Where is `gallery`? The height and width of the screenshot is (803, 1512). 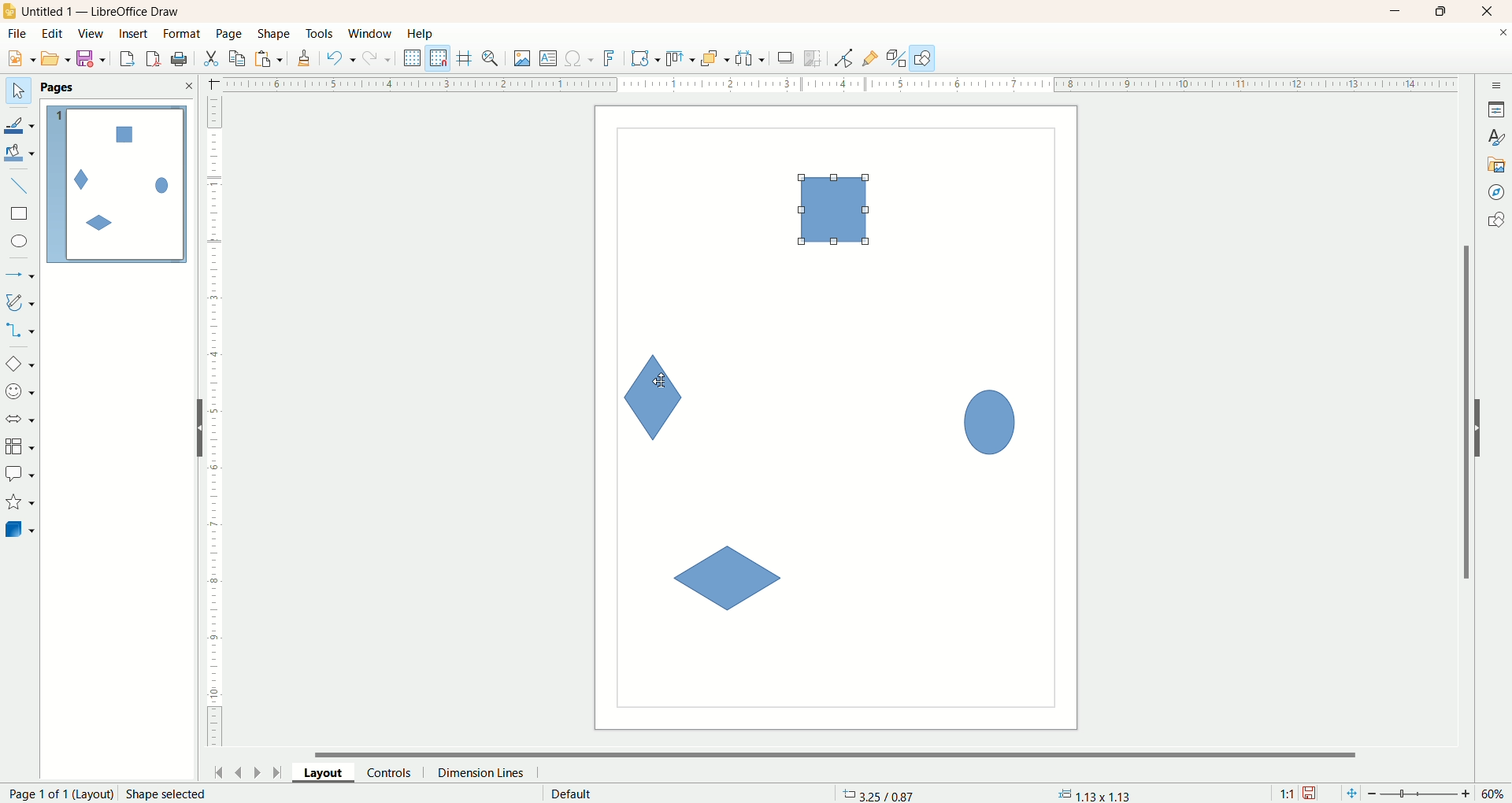
gallery is located at coordinates (1497, 163).